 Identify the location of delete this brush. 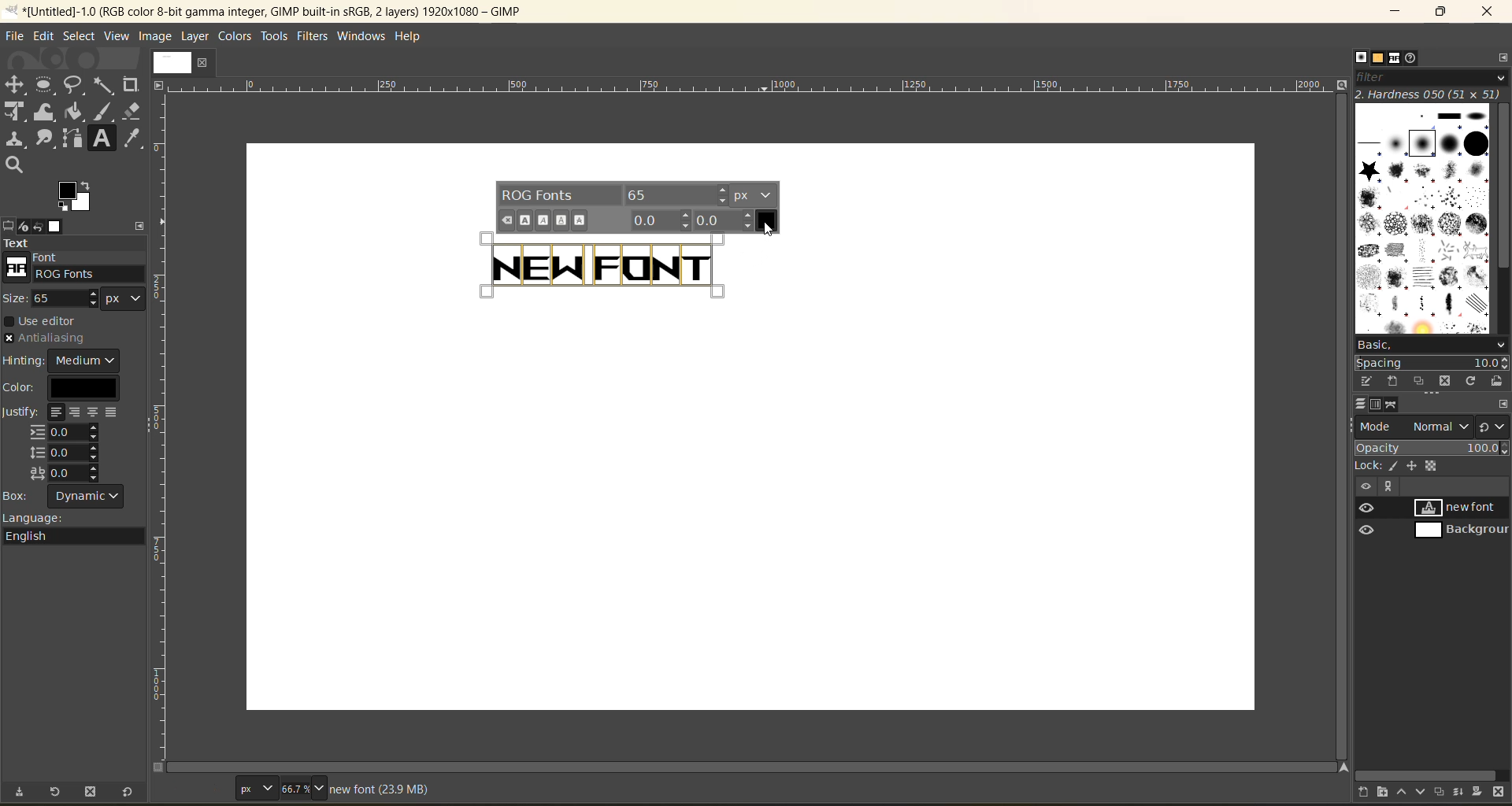
(1448, 379).